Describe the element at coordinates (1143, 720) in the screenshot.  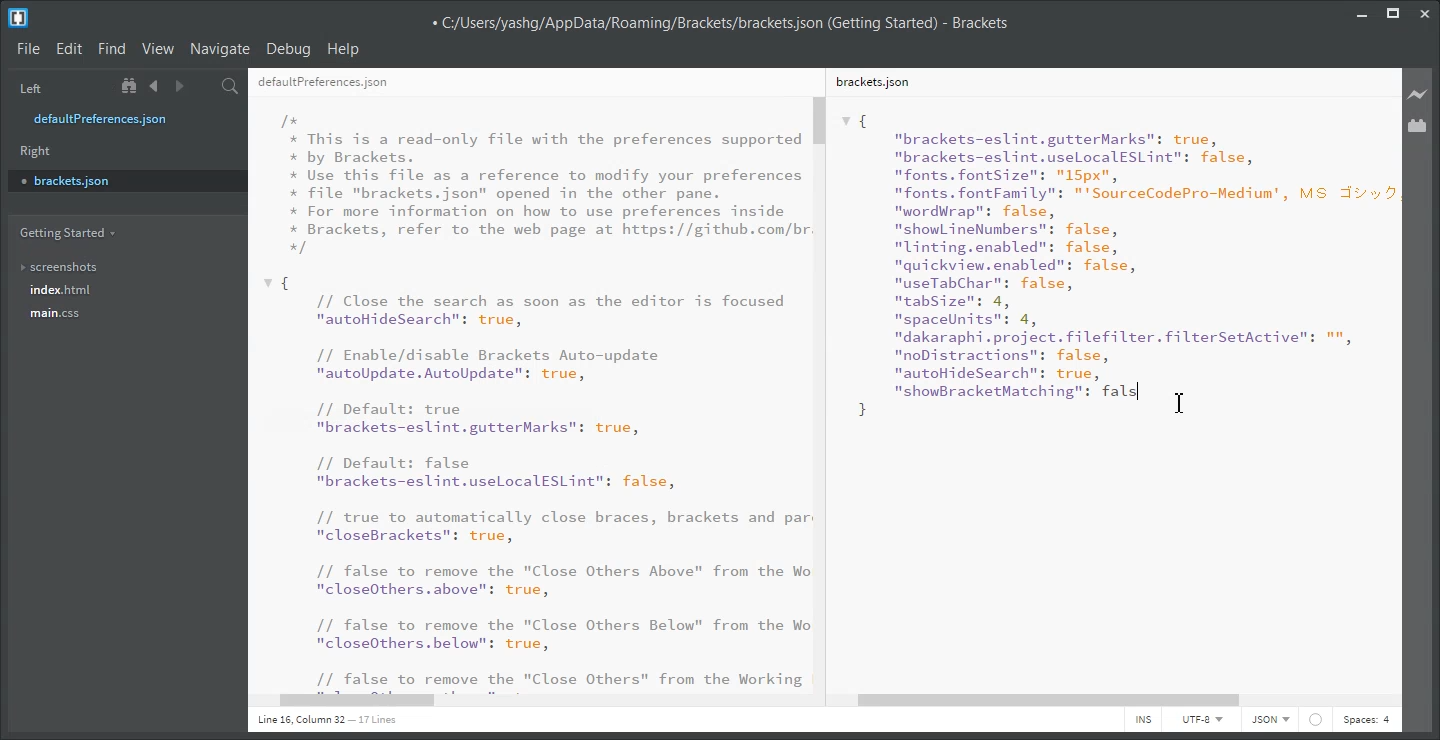
I see `INS` at that location.